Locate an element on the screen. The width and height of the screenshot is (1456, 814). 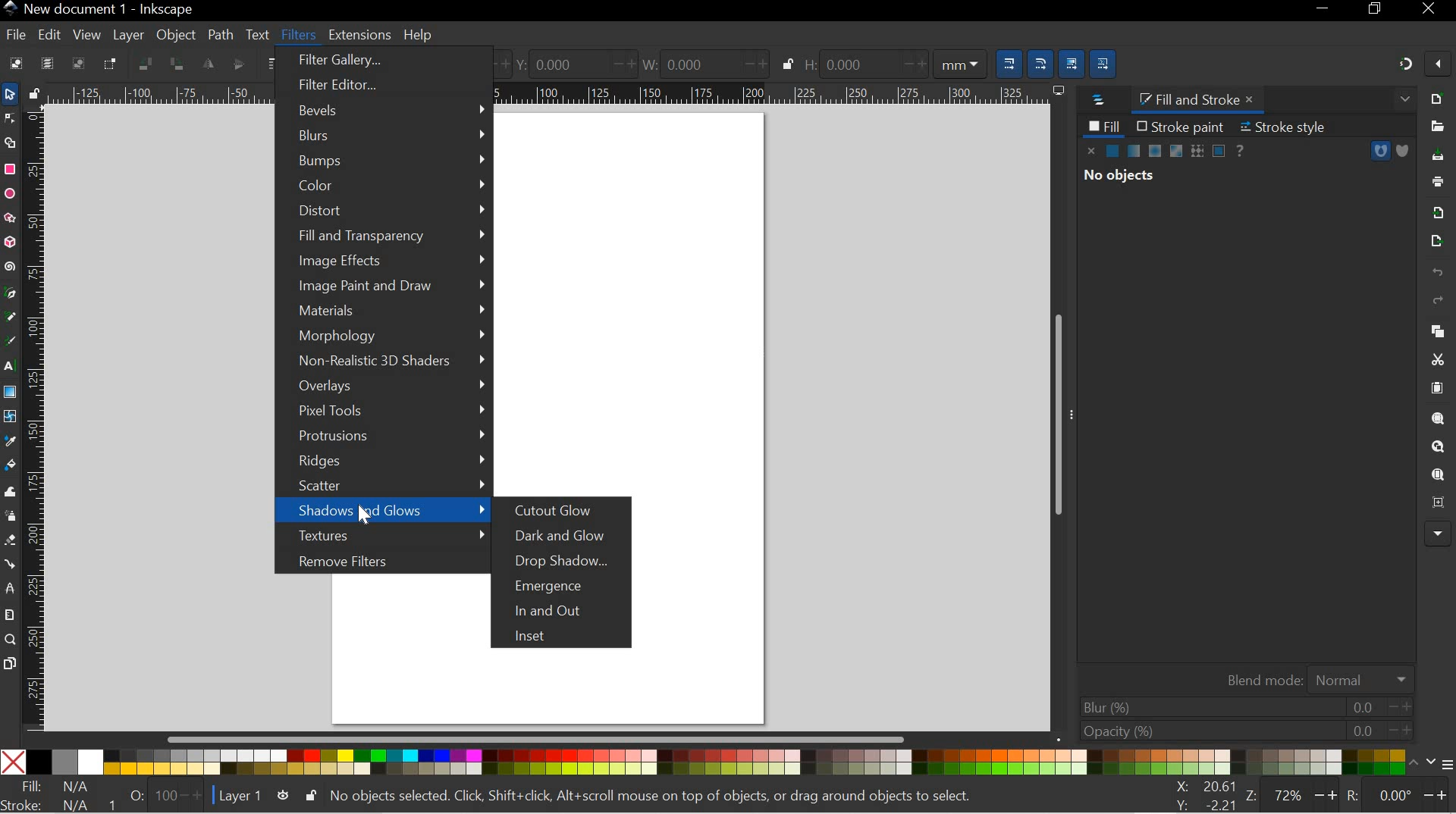
SHAPES AND TOOLS is located at coordinates (9, 393).